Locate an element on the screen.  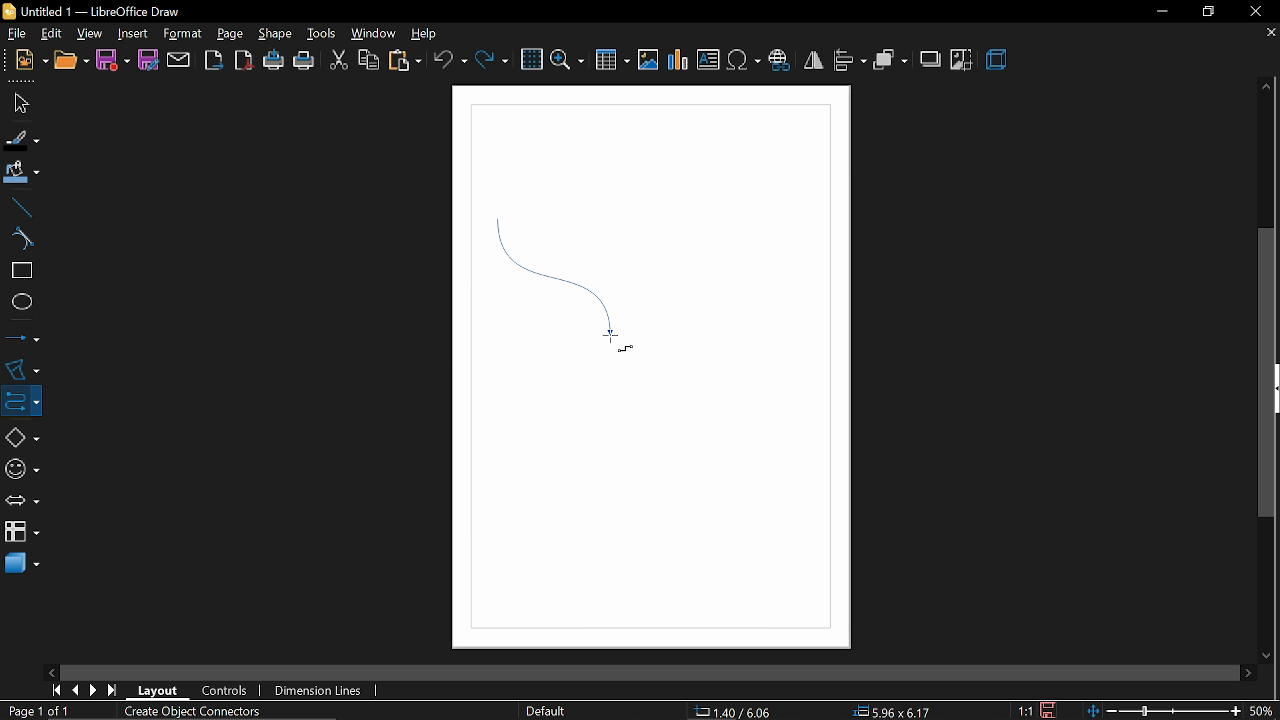
save is located at coordinates (113, 61).